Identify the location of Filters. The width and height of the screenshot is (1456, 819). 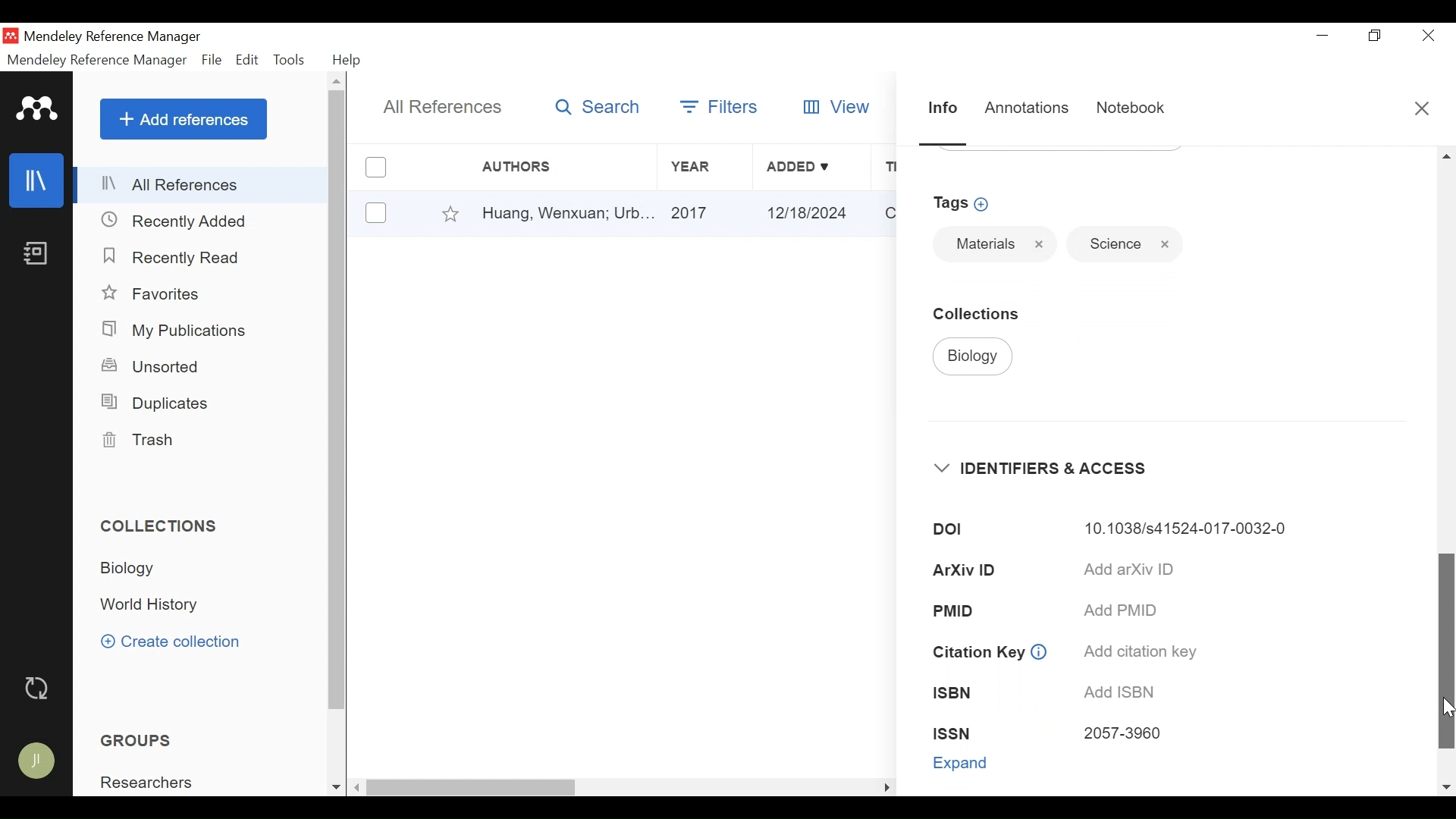
(720, 104).